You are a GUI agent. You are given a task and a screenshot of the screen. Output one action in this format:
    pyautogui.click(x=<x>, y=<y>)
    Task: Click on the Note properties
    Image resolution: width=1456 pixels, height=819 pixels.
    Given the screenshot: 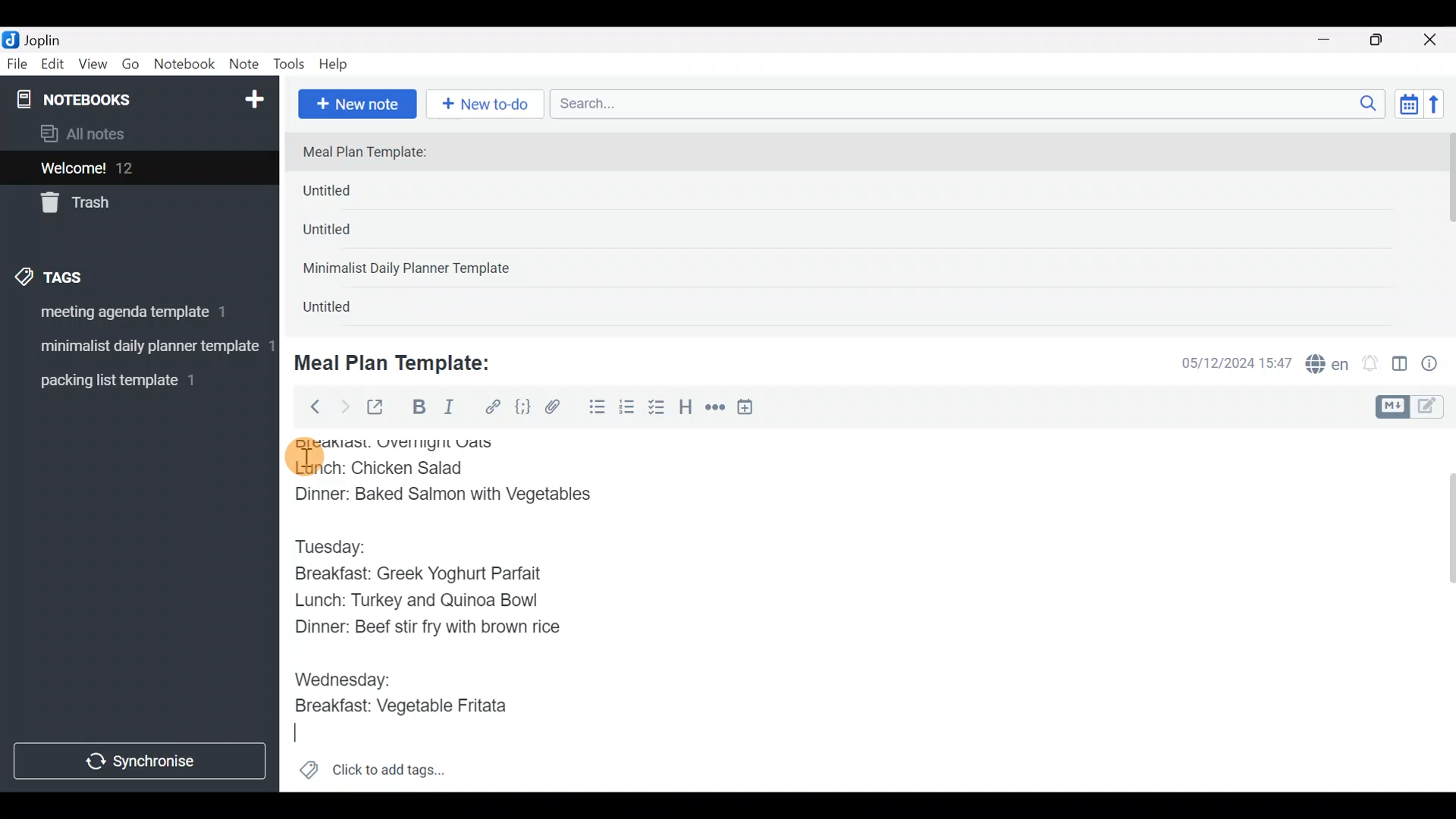 What is the action you would take?
    pyautogui.click(x=1436, y=365)
    